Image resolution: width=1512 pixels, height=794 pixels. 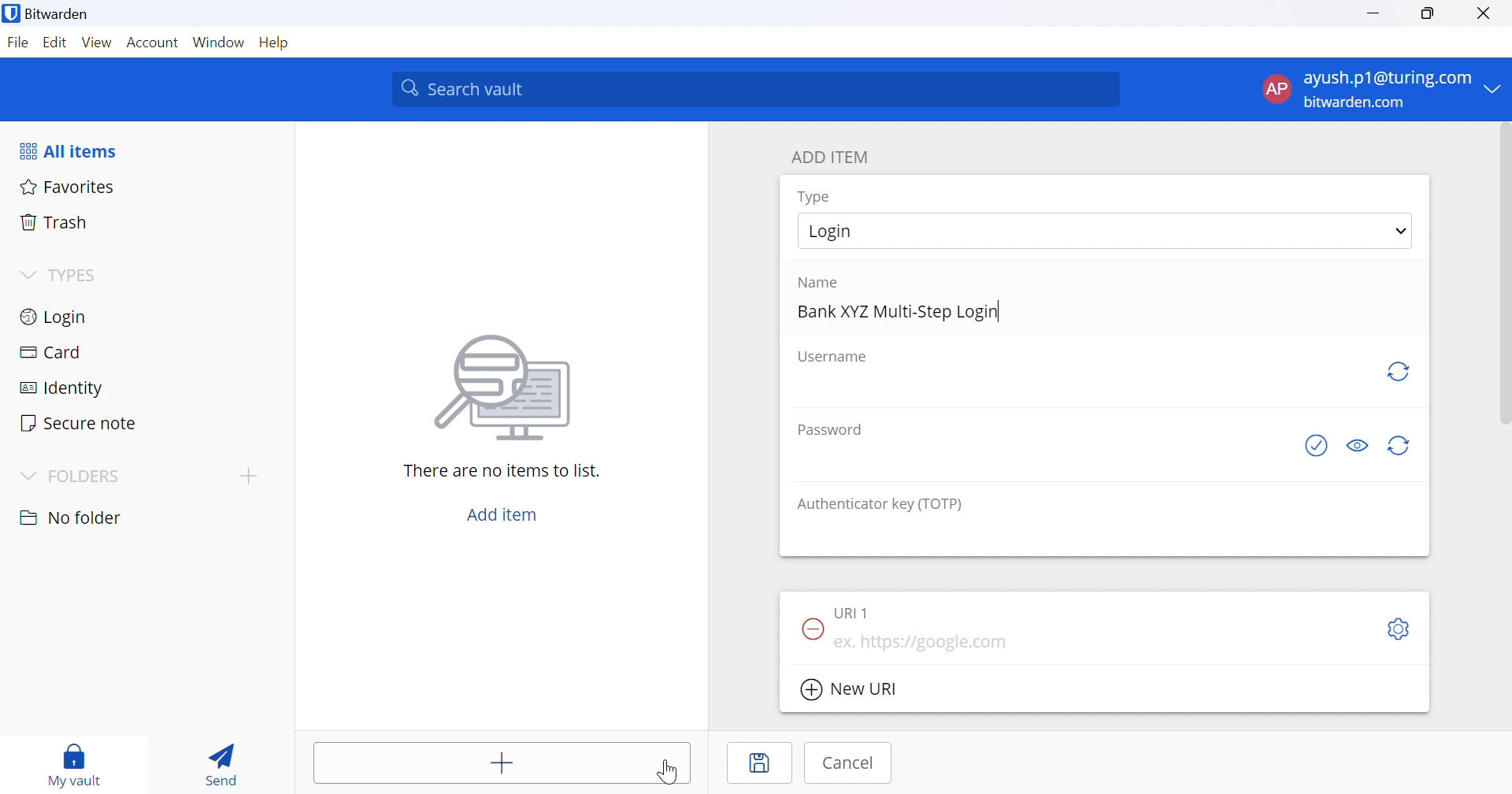 I want to click on Restore Down, so click(x=1429, y=14).